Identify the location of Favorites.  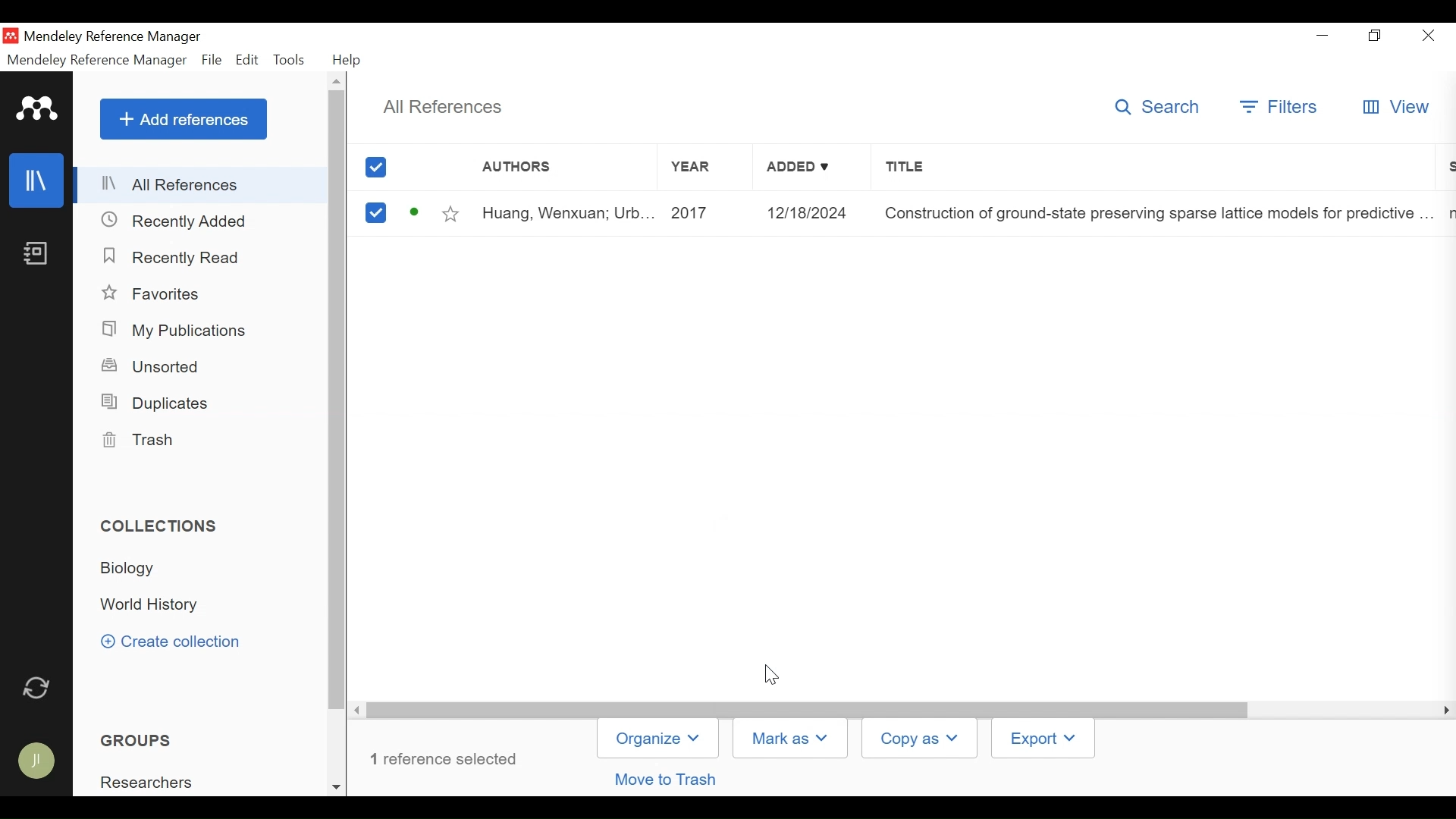
(156, 293).